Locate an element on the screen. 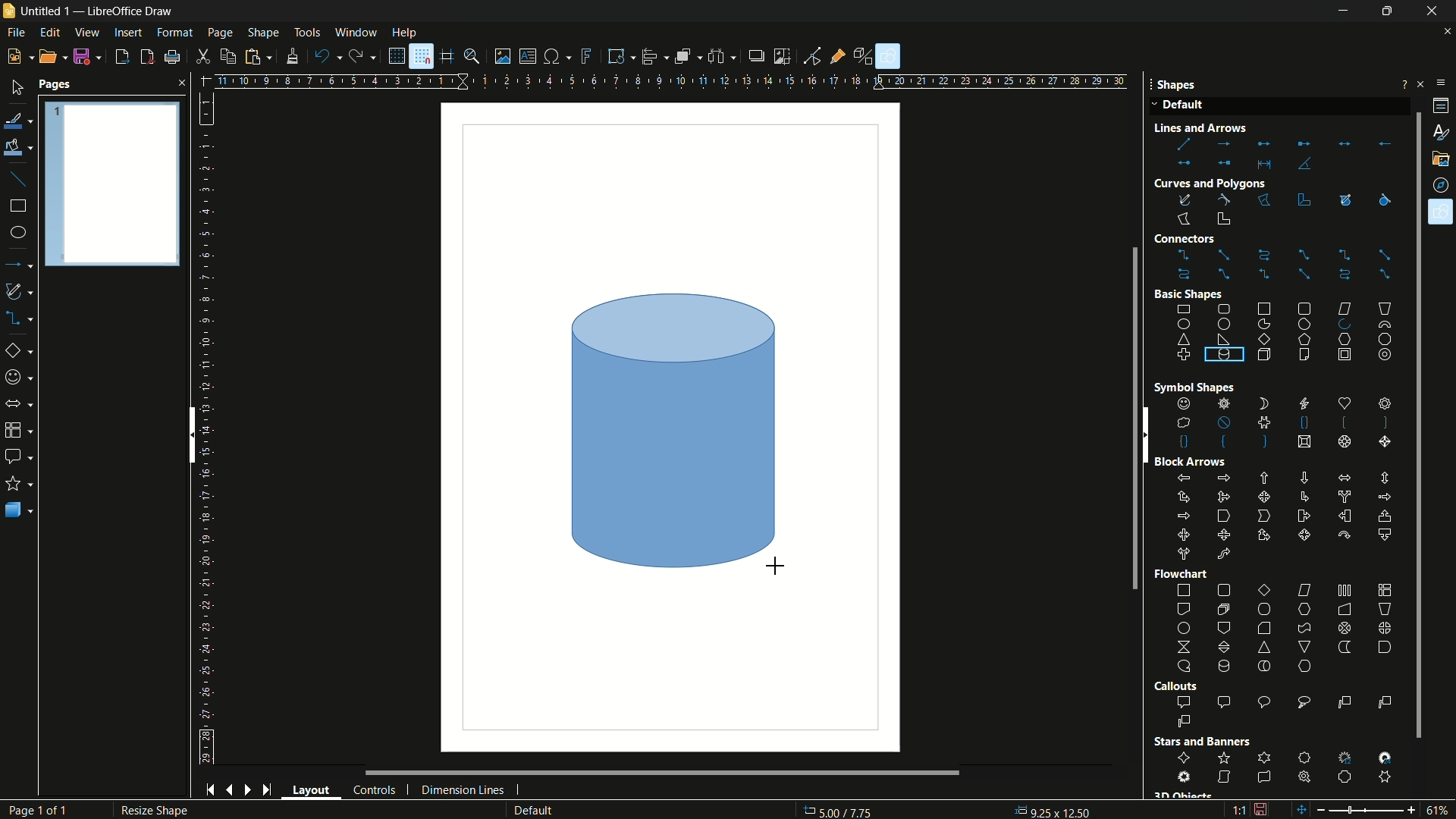  insert special characters is located at coordinates (557, 58).